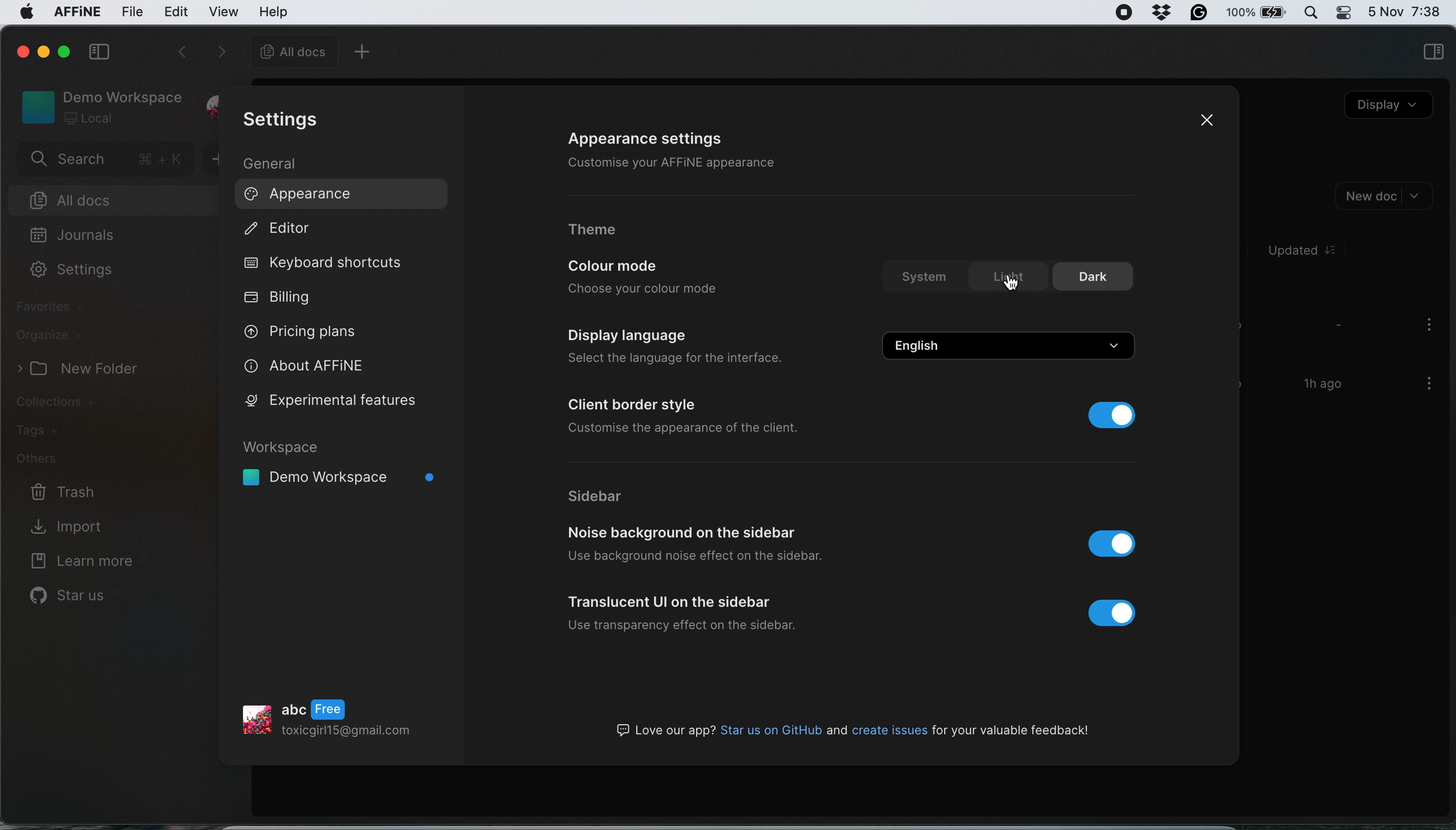 This screenshot has width=1456, height=830. What do you see at coordinates (697, 164) in the screenshot?
I see `customise your affine appearance` at bounding box center [697, 164].